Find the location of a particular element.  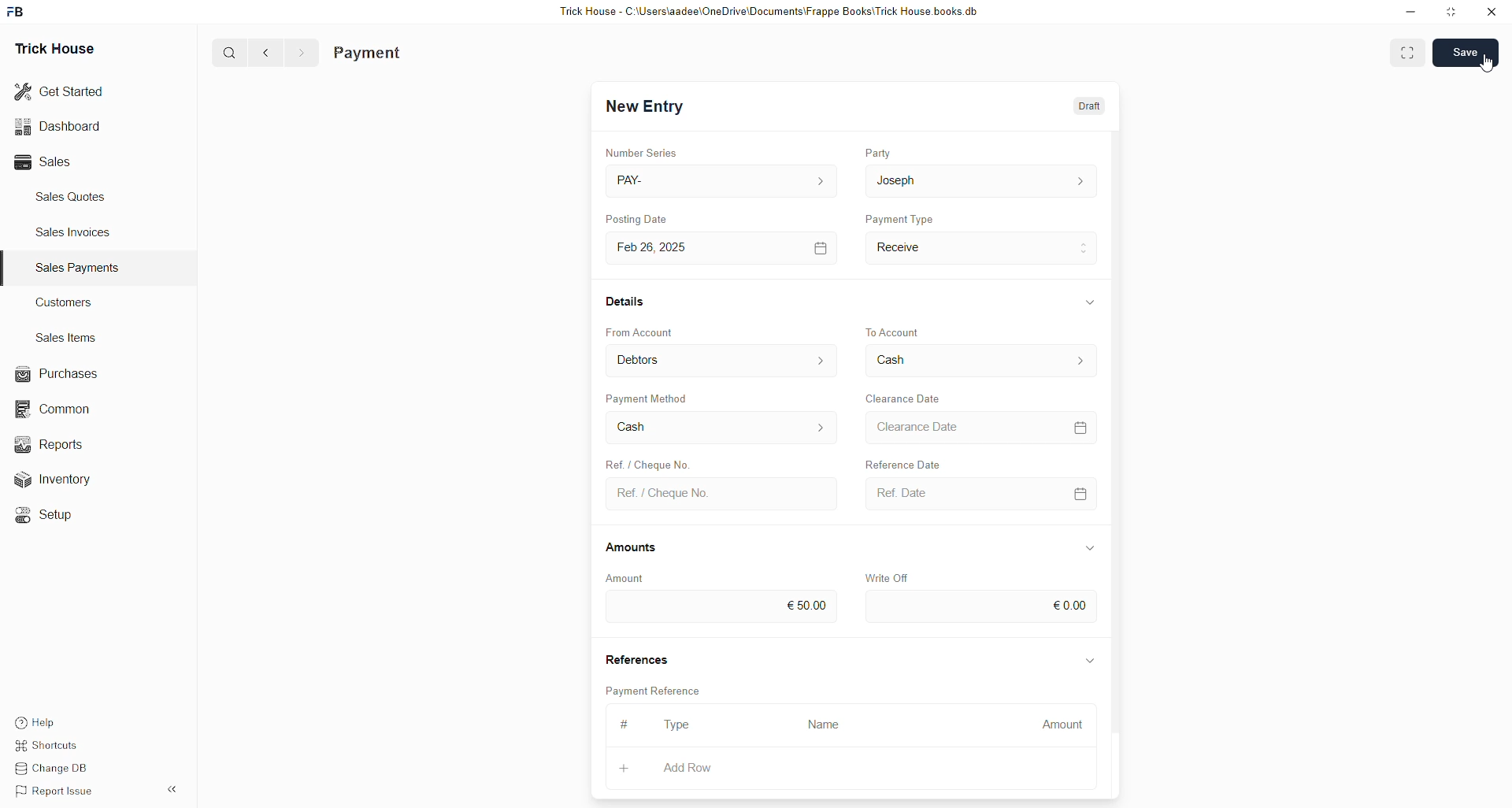

Show/Hide is located at coordinates (1091, 302).